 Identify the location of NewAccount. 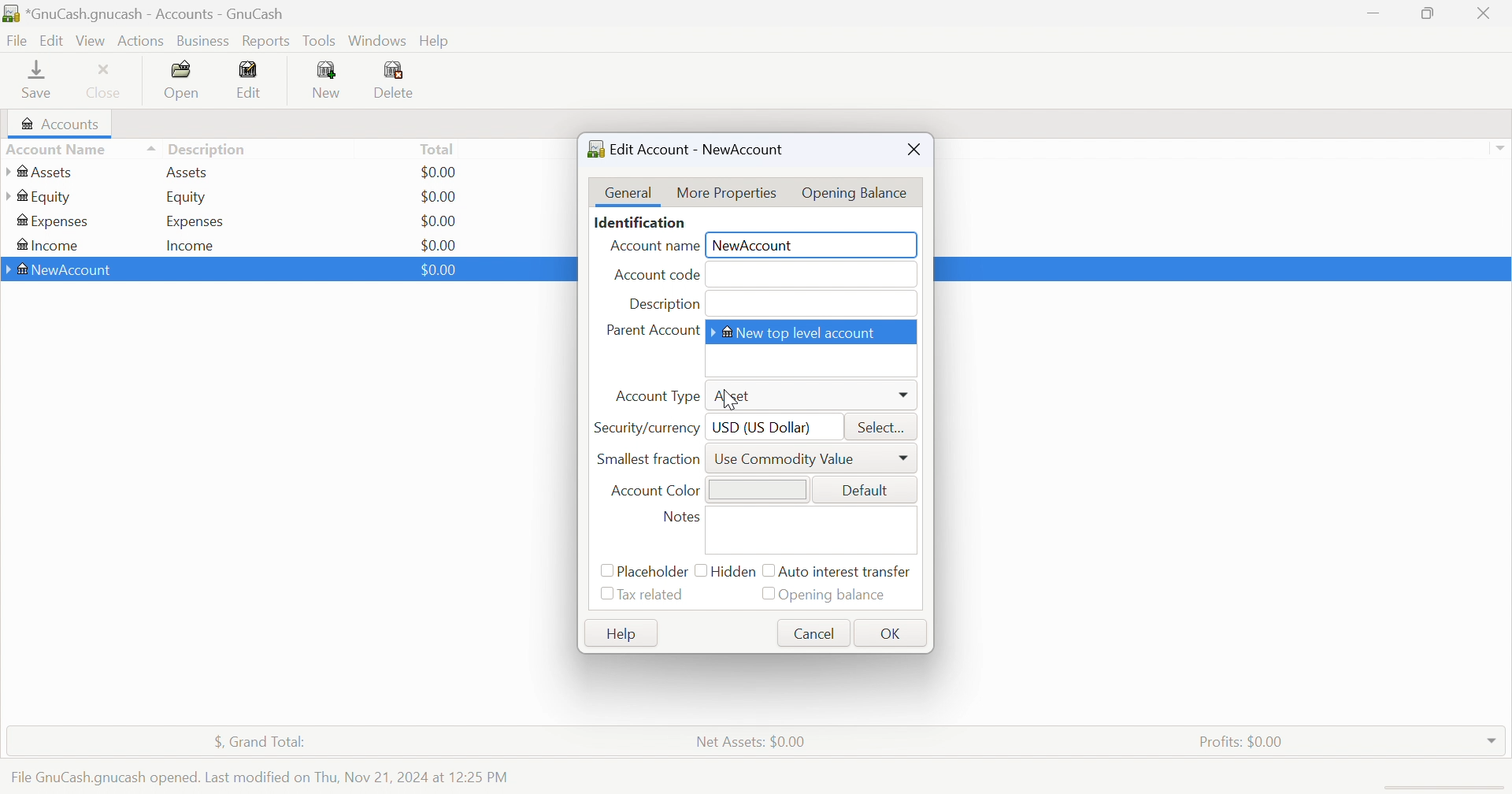
(62, 271).